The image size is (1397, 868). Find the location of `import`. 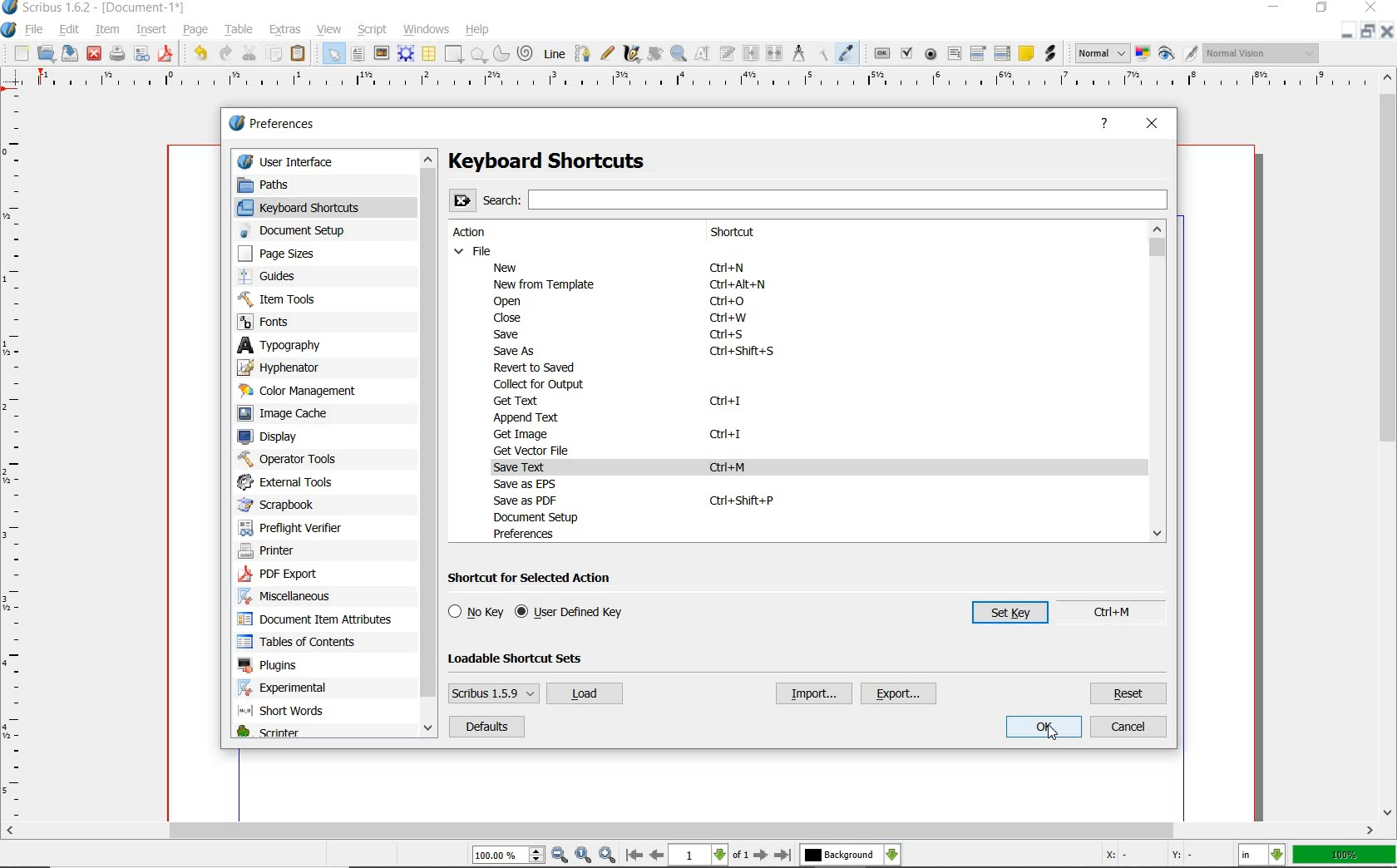

import is located at coordinates (812, 693).